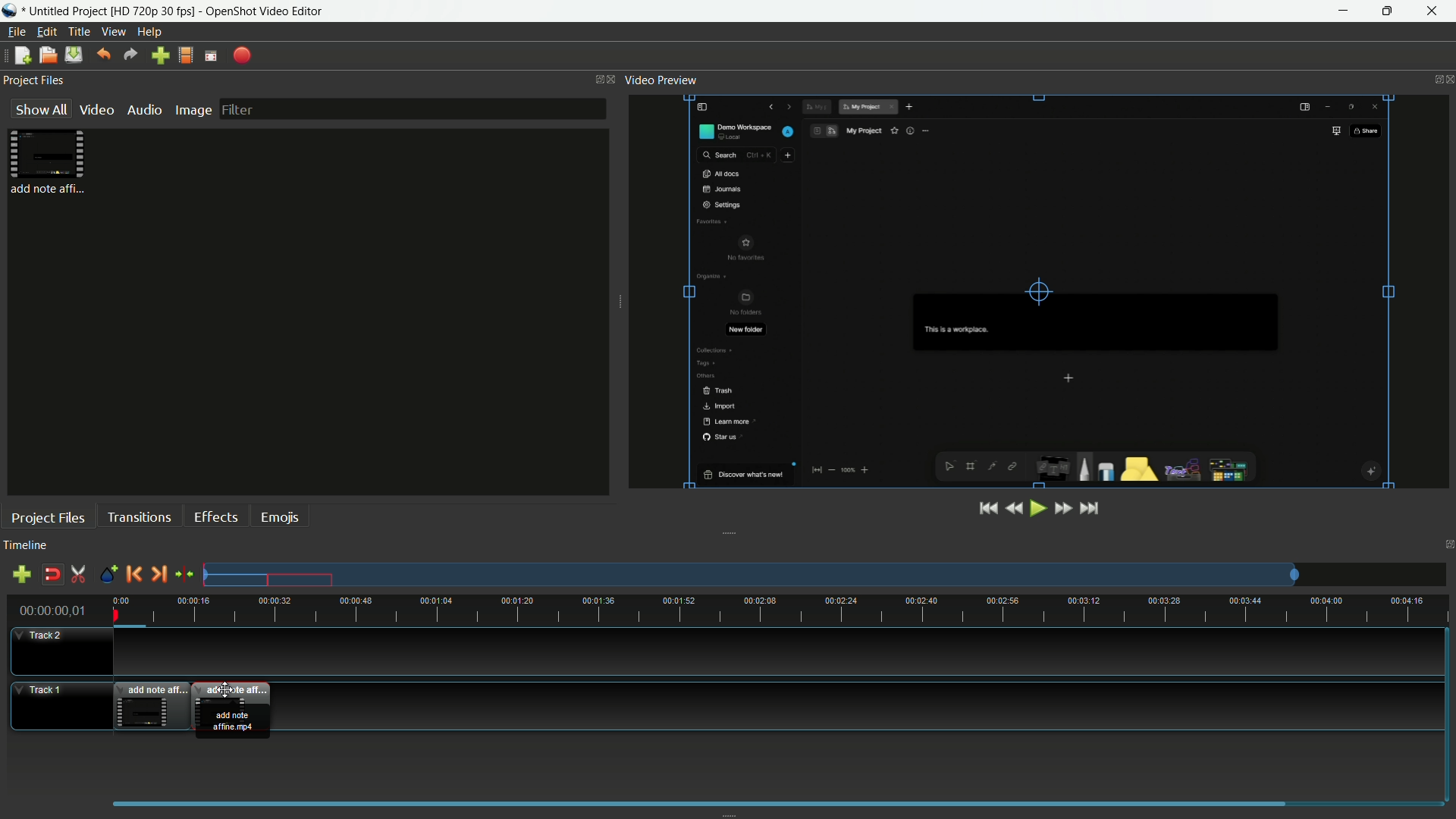  What do you see at coordinates (143, 110) in the screenshot?
I see `audio` at bounding box center [143, 110].